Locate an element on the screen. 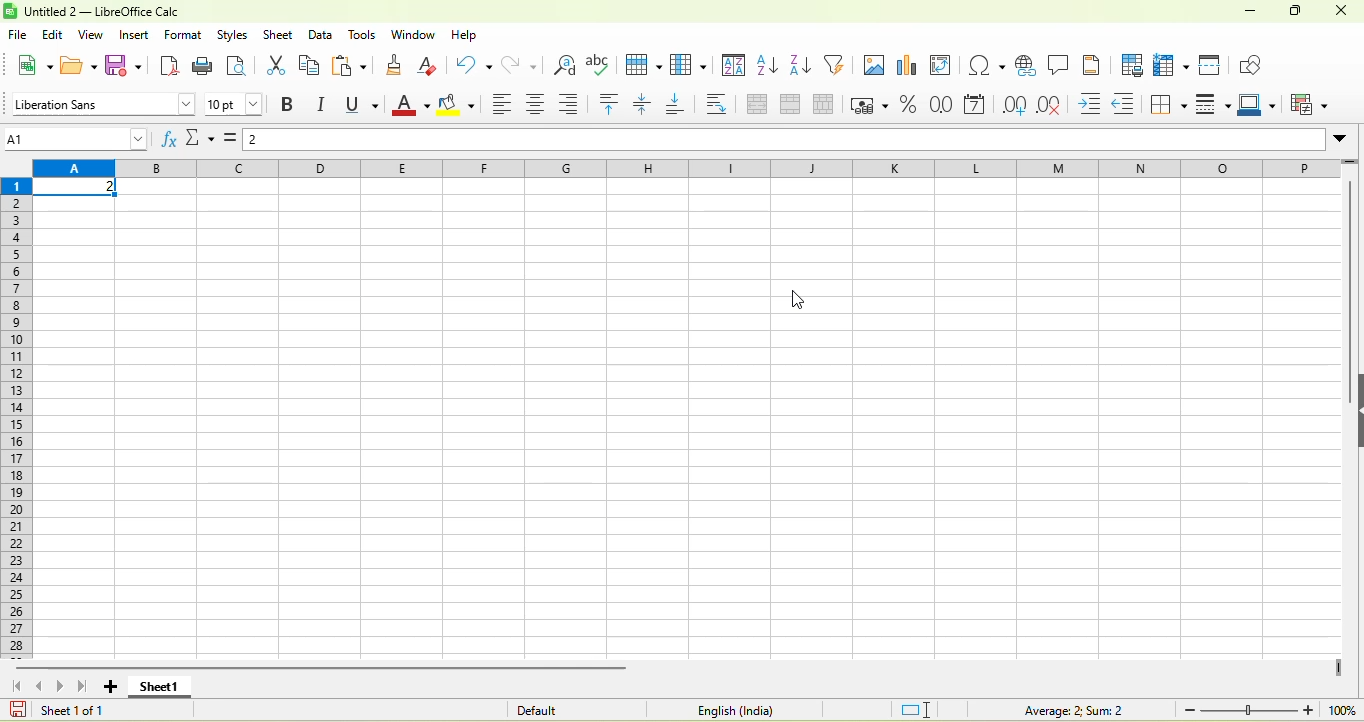 The height and width of the screenshot is (722, 1364). function wizard is located at coordinates (169, 139).